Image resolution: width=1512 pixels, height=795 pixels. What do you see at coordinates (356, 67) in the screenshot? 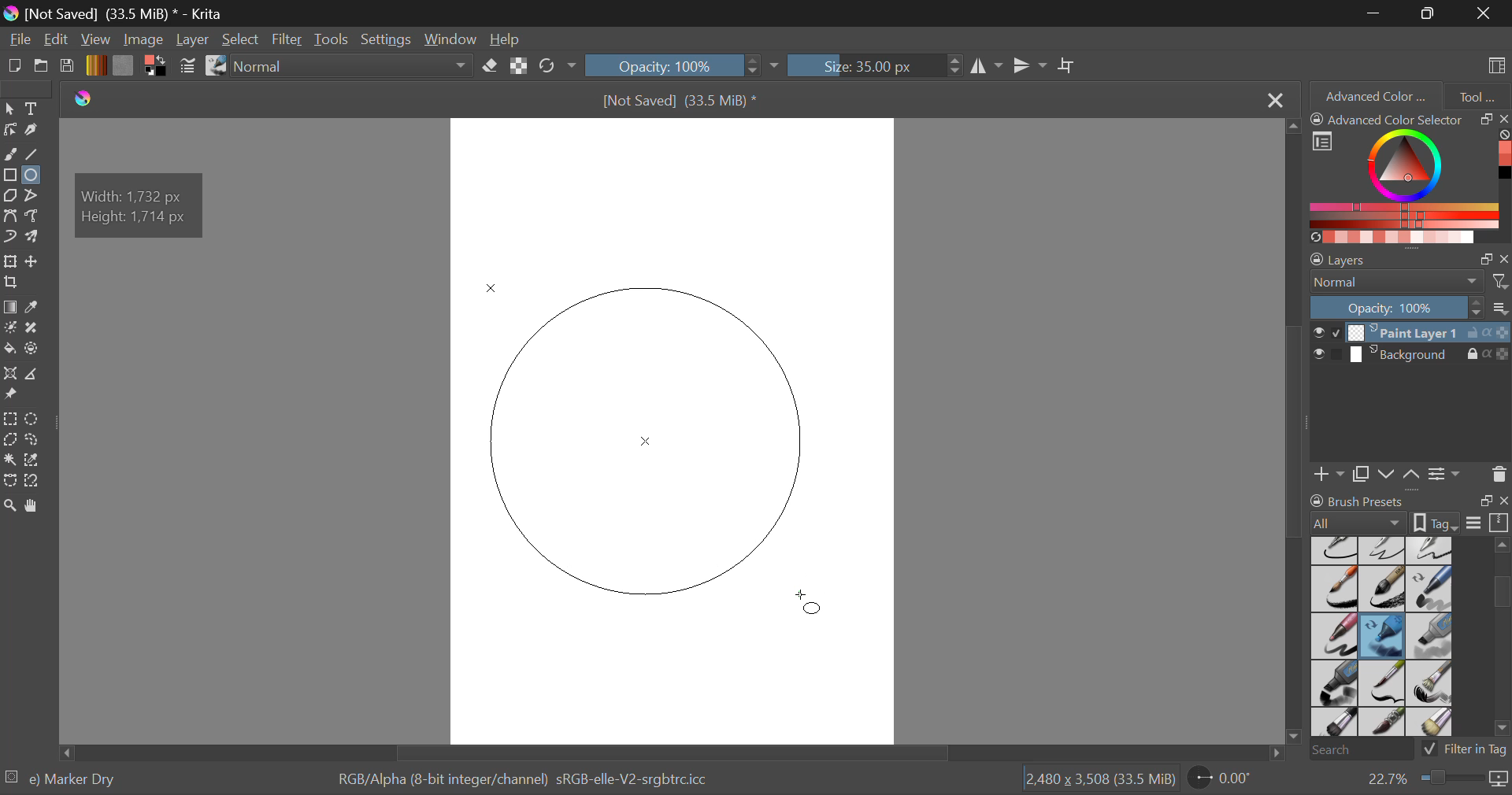
I see `Blending Mode` at bounding box center [356, 67].